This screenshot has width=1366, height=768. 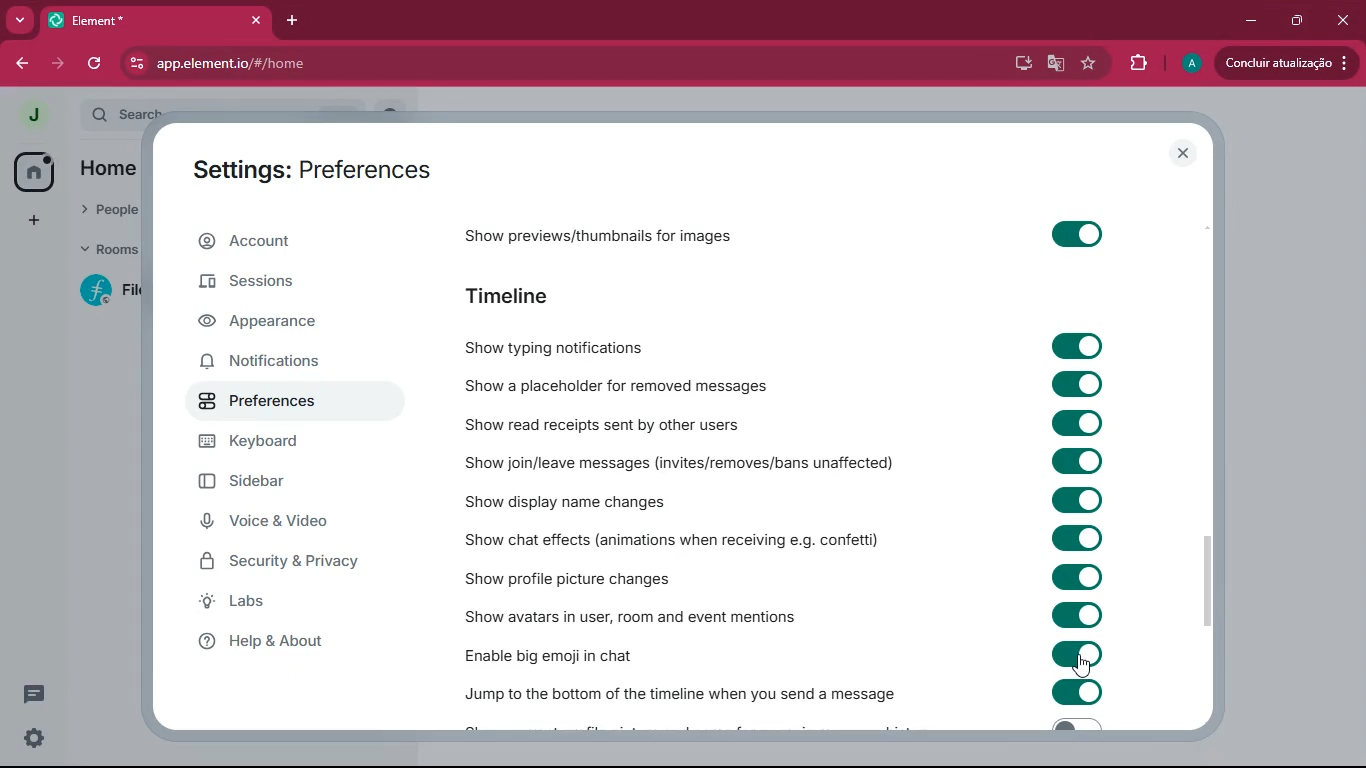 I want to click on conversation, so click(x=34, y=693).